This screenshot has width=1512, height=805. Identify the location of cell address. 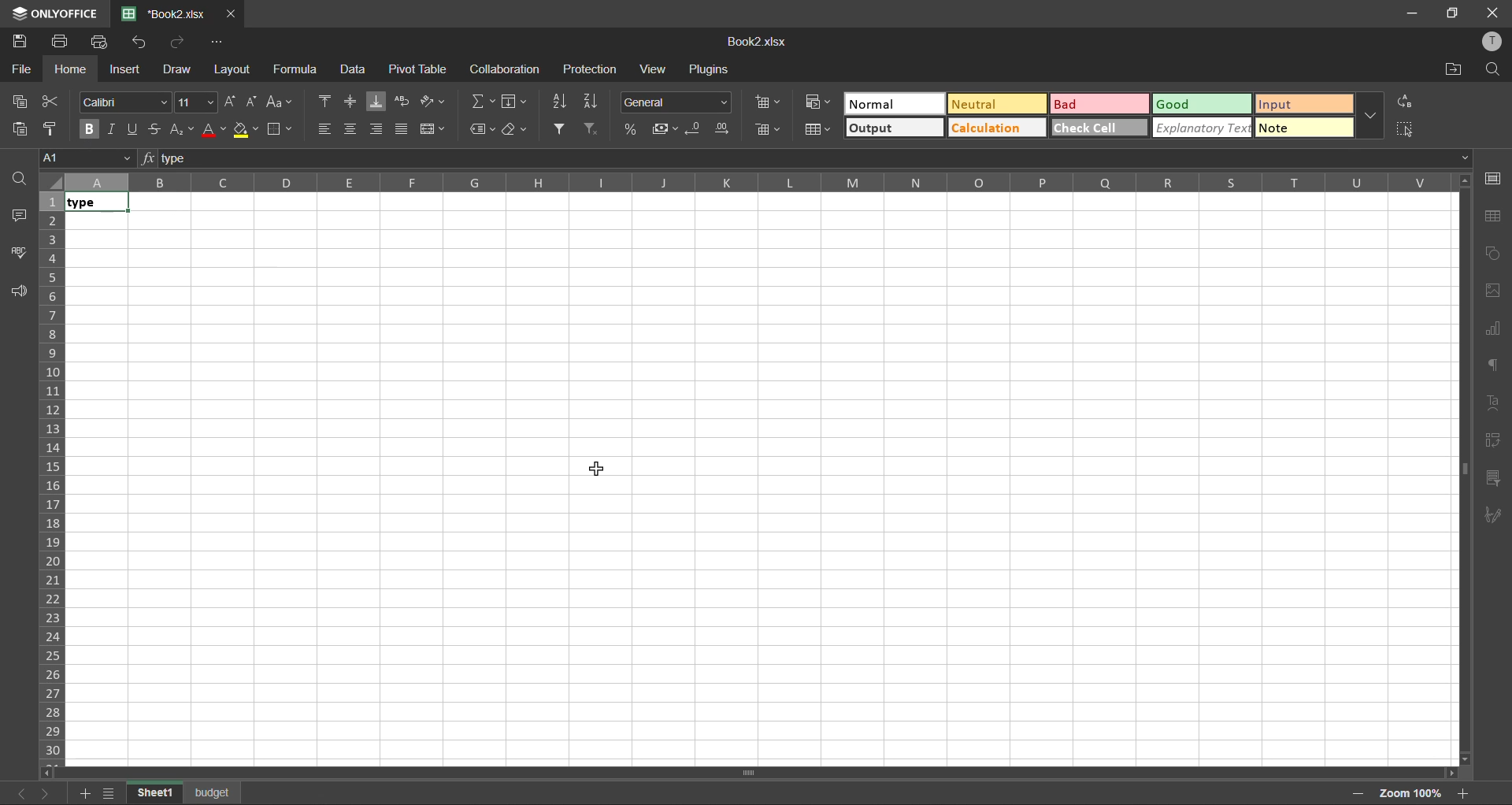
(86, 158).